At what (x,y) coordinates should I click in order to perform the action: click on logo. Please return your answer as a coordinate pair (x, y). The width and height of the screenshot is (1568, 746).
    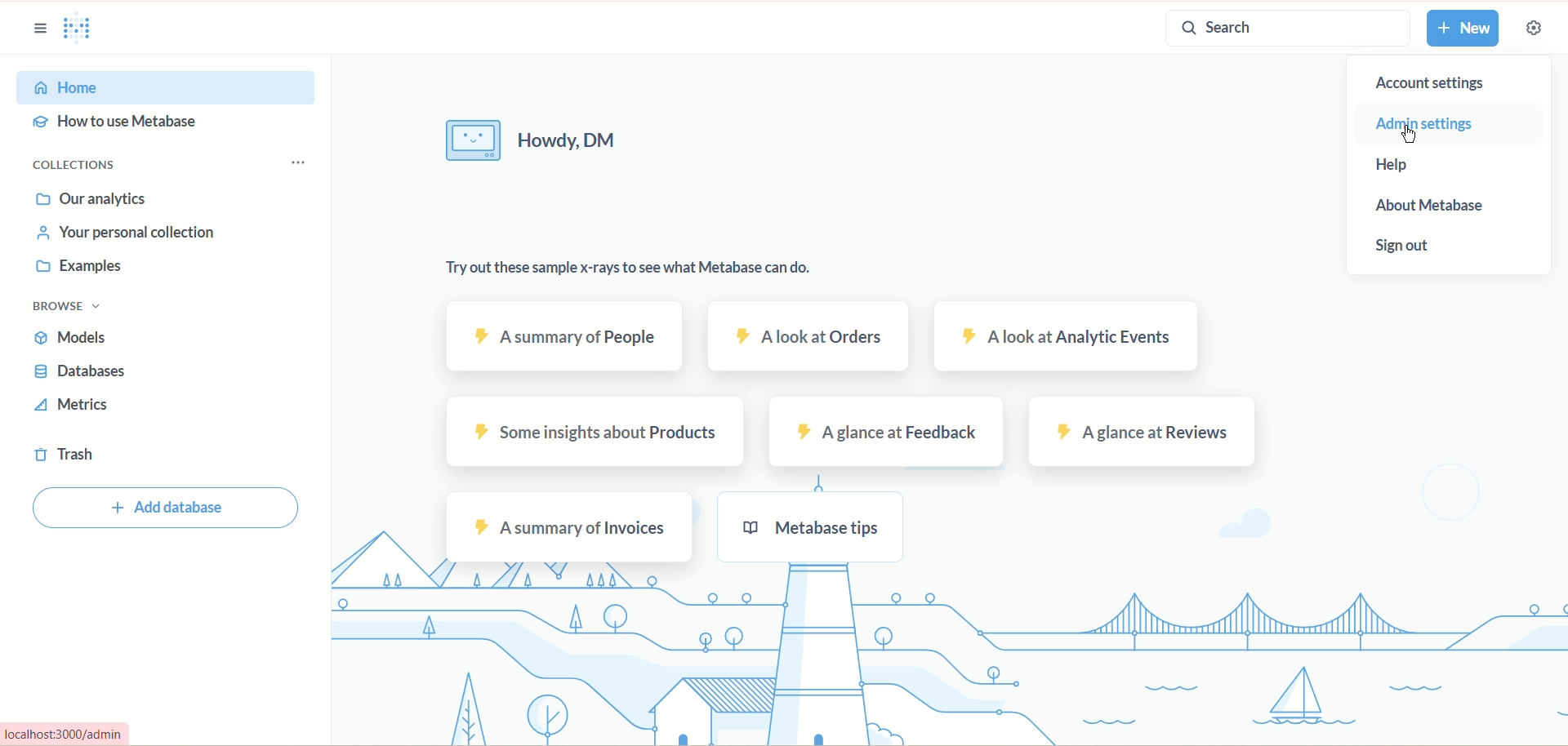
    Looking at the image, I should click on (80, 30).